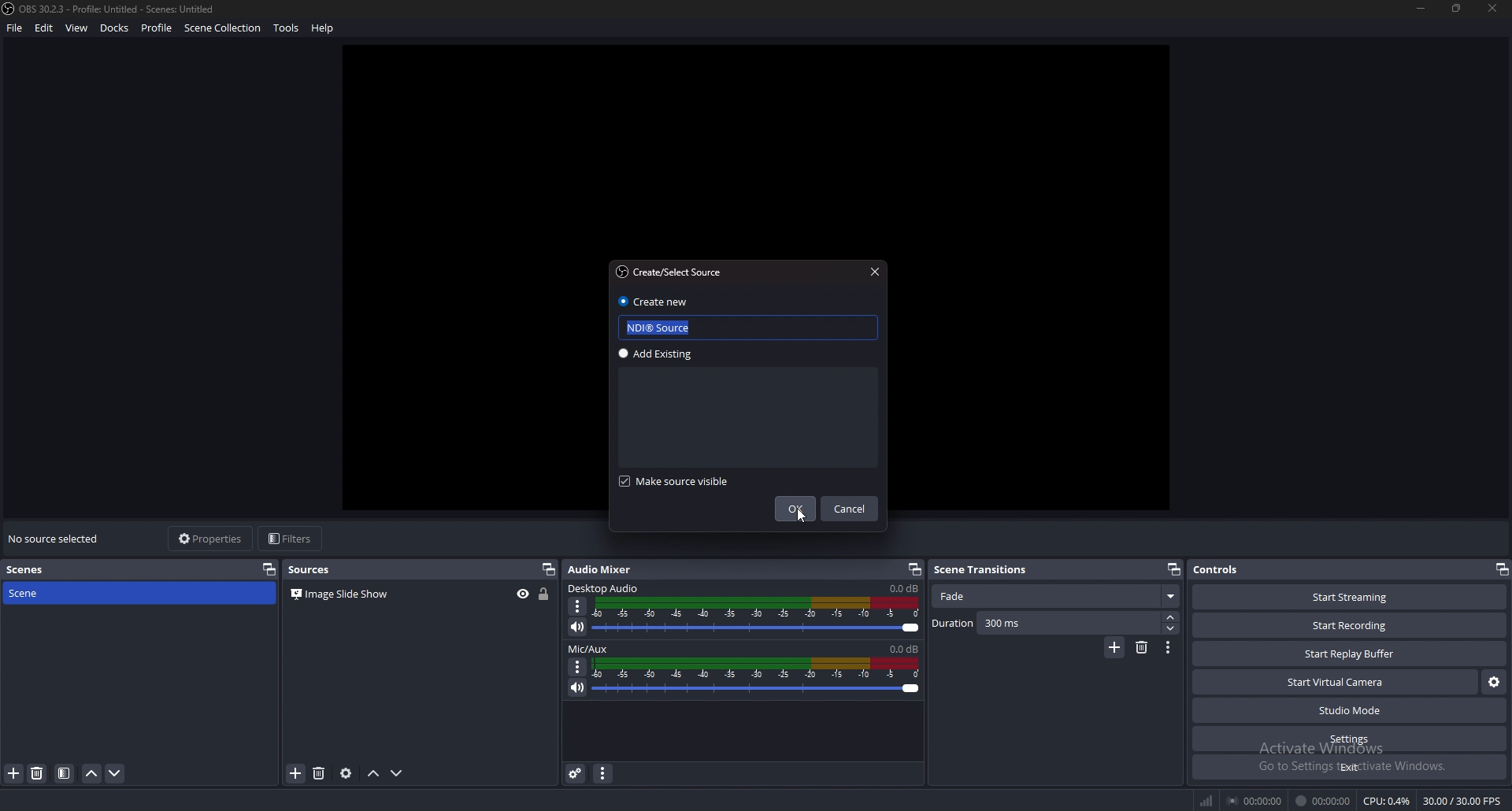 This screenshot has height=811, width=1512. What do you see at coordinates (1336, 682) in the screenshot?
I see `start virtual camera` at bounding box center [1336, 682].